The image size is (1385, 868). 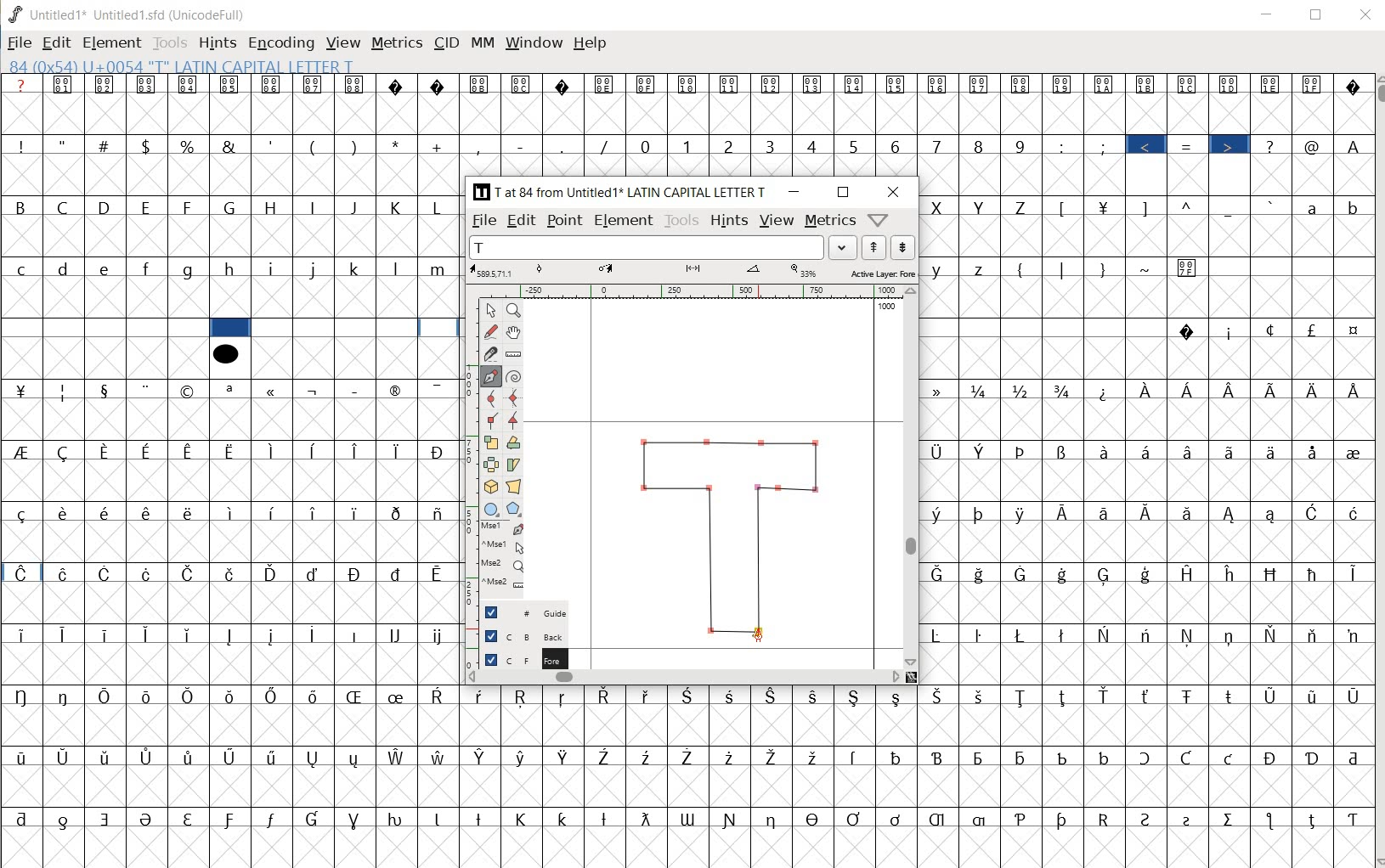 What do you see at coordinates (1275, 389) in the screenshot?
I see `Symbol` at bounding box center [1275, 389].